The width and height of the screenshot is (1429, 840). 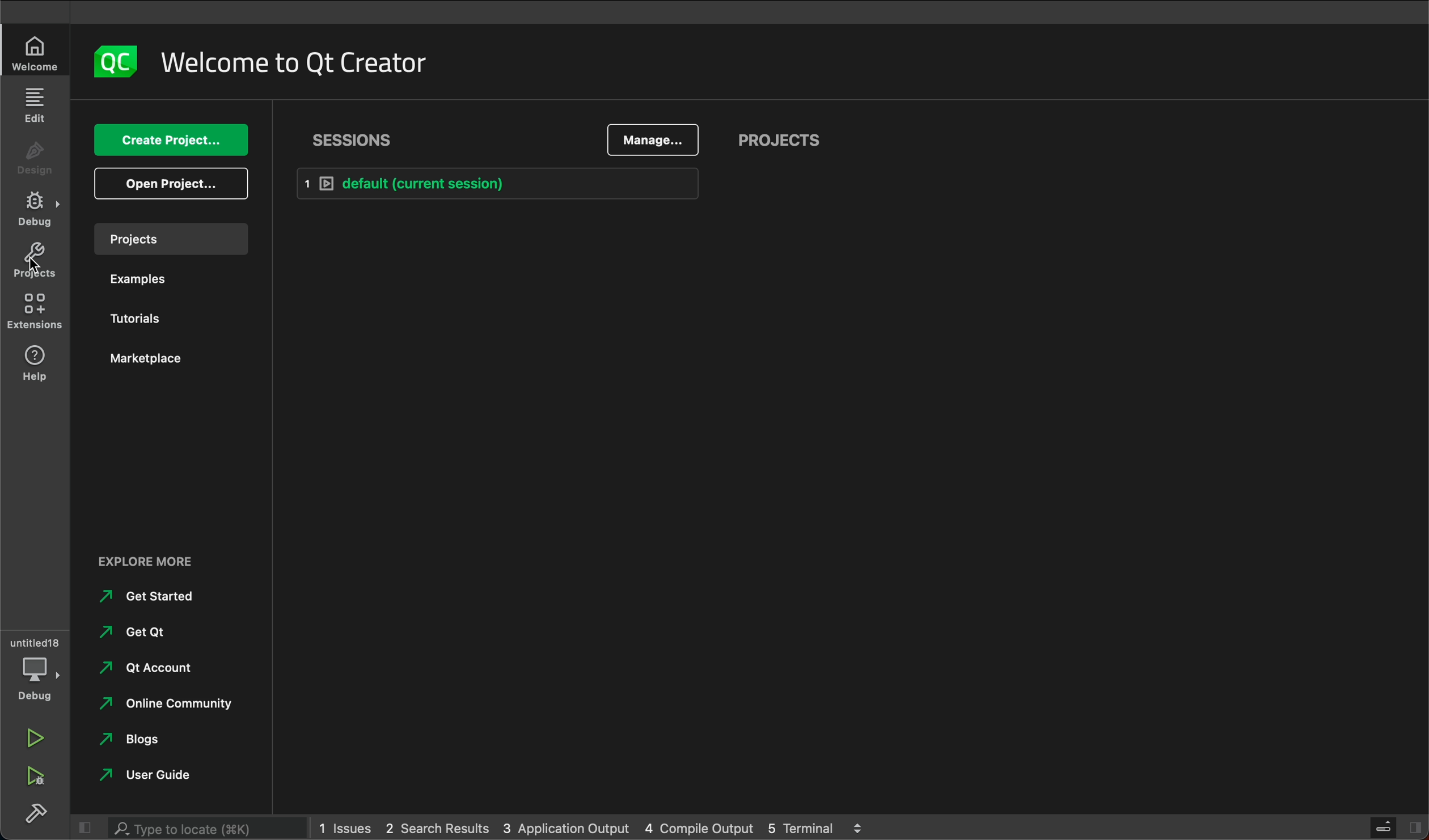 I want to click on 1 Issues, so click(x=344, y=826).